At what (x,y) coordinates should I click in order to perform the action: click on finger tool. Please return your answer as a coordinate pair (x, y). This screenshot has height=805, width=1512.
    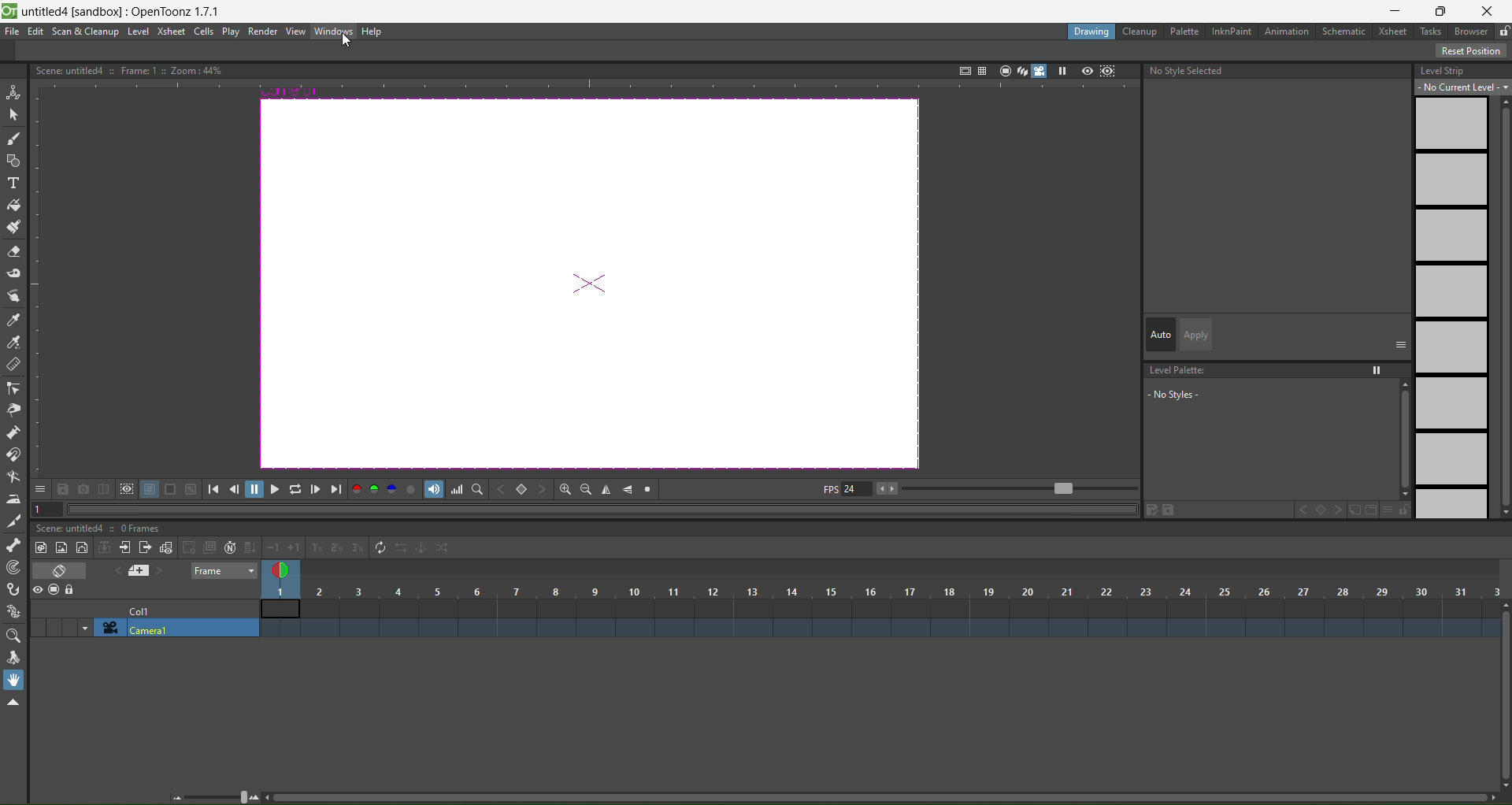
    Looking at the image, I should click on (14, 298).